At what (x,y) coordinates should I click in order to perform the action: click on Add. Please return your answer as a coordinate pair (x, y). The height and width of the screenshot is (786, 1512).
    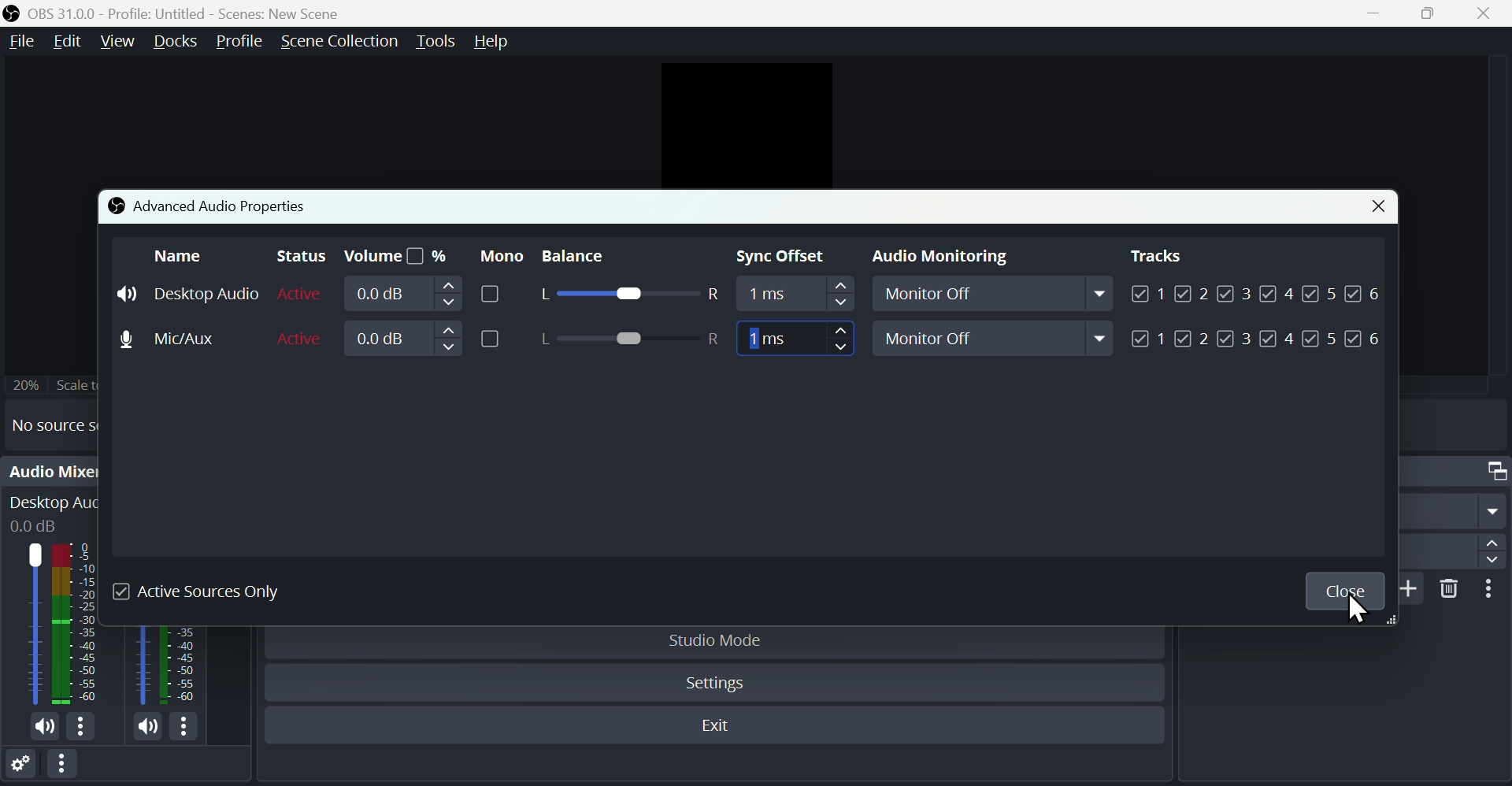
    Looking at the image, I should click on (1413, 588).